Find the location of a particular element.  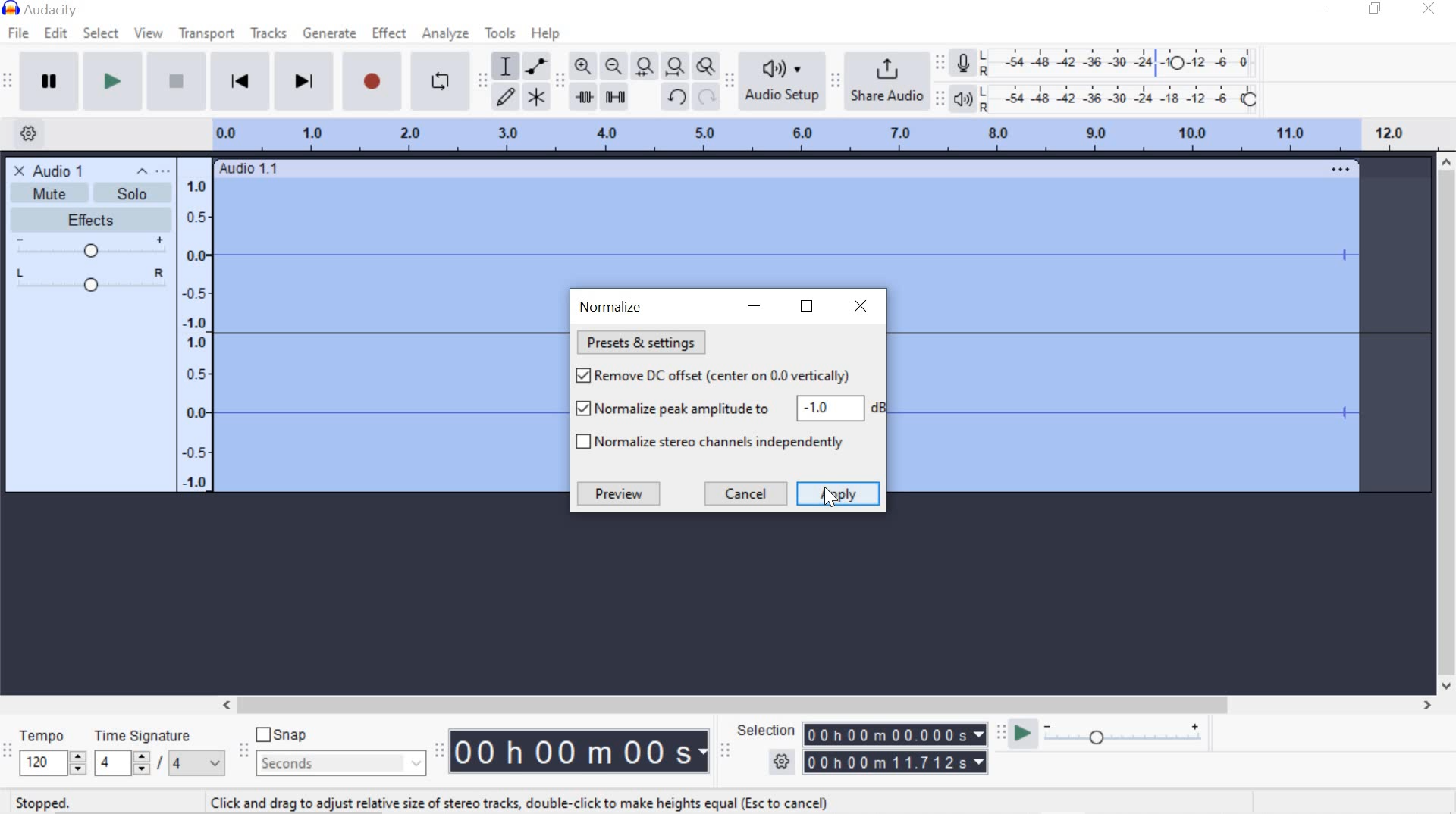

transport is located at coordinates (206, 33).